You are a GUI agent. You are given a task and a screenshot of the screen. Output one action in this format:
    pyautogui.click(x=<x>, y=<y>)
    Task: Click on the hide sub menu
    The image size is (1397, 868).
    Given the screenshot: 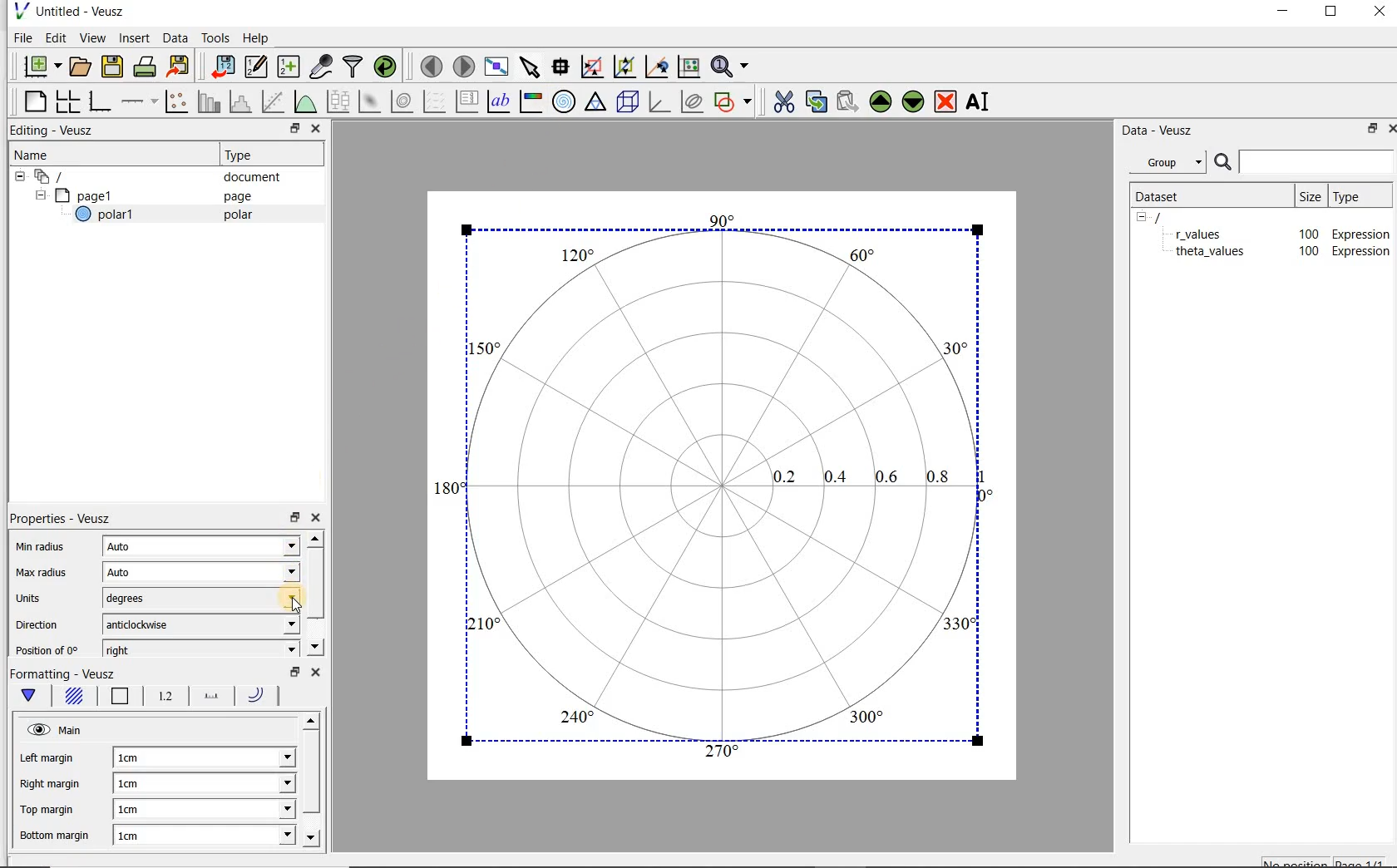 What is the action you would take?
    pyautogui.click(x=1142, y=216)
    